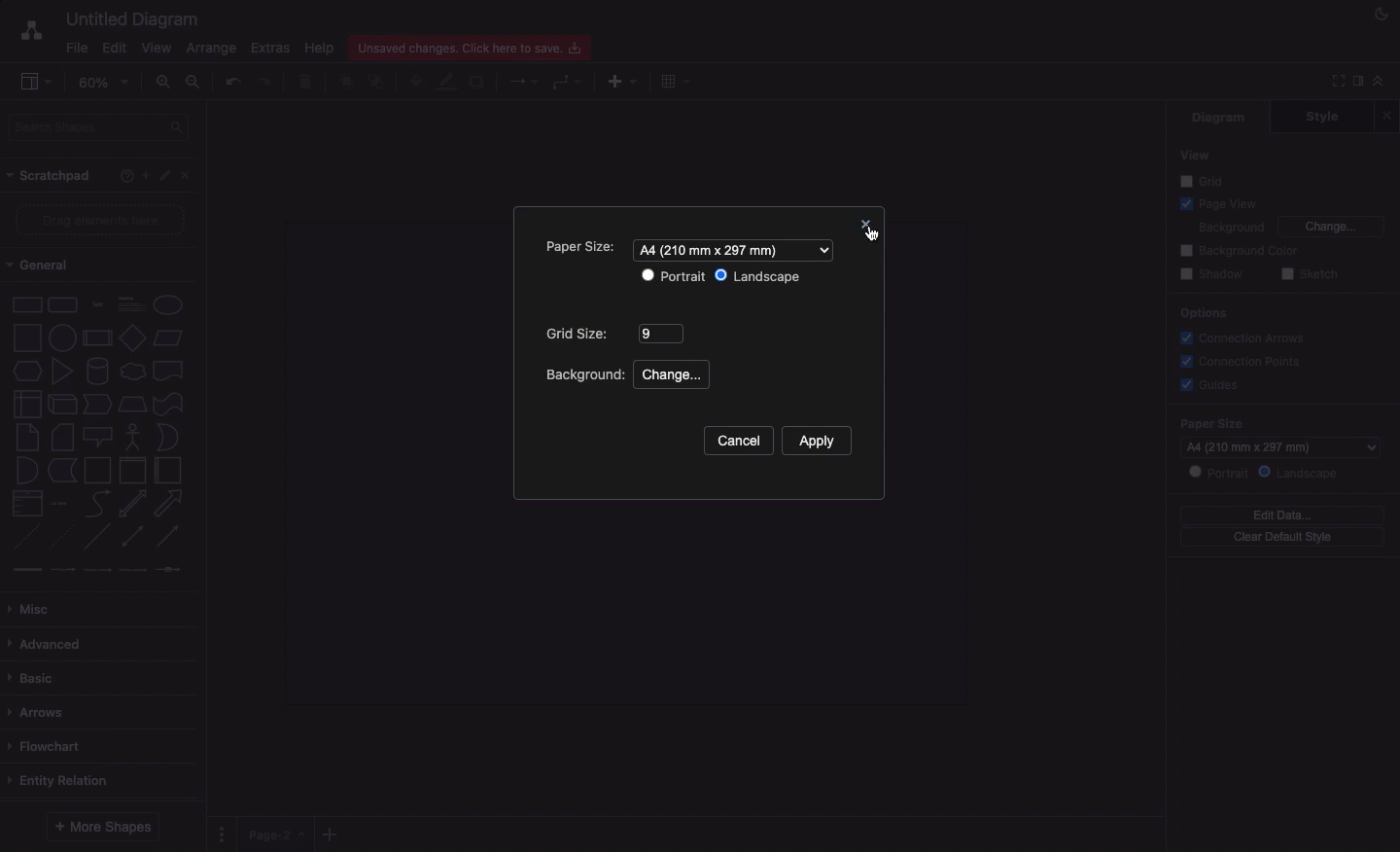 Image resolution: width=1400 pixels, height=852 pixels. I want to click on Close, so click(1386, 116).